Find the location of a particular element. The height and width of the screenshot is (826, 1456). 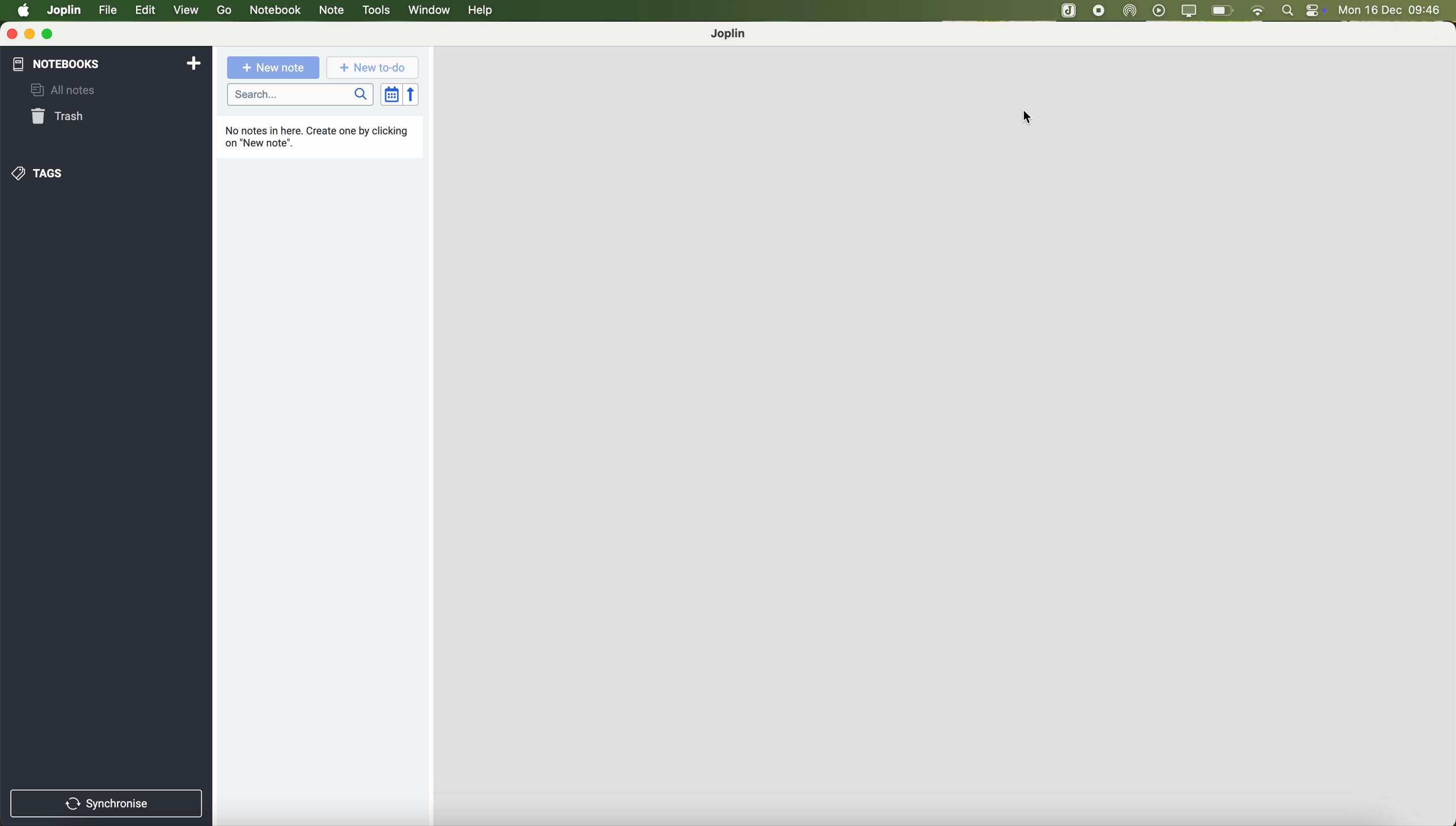

mouse is located at coordinates (1027, 117).